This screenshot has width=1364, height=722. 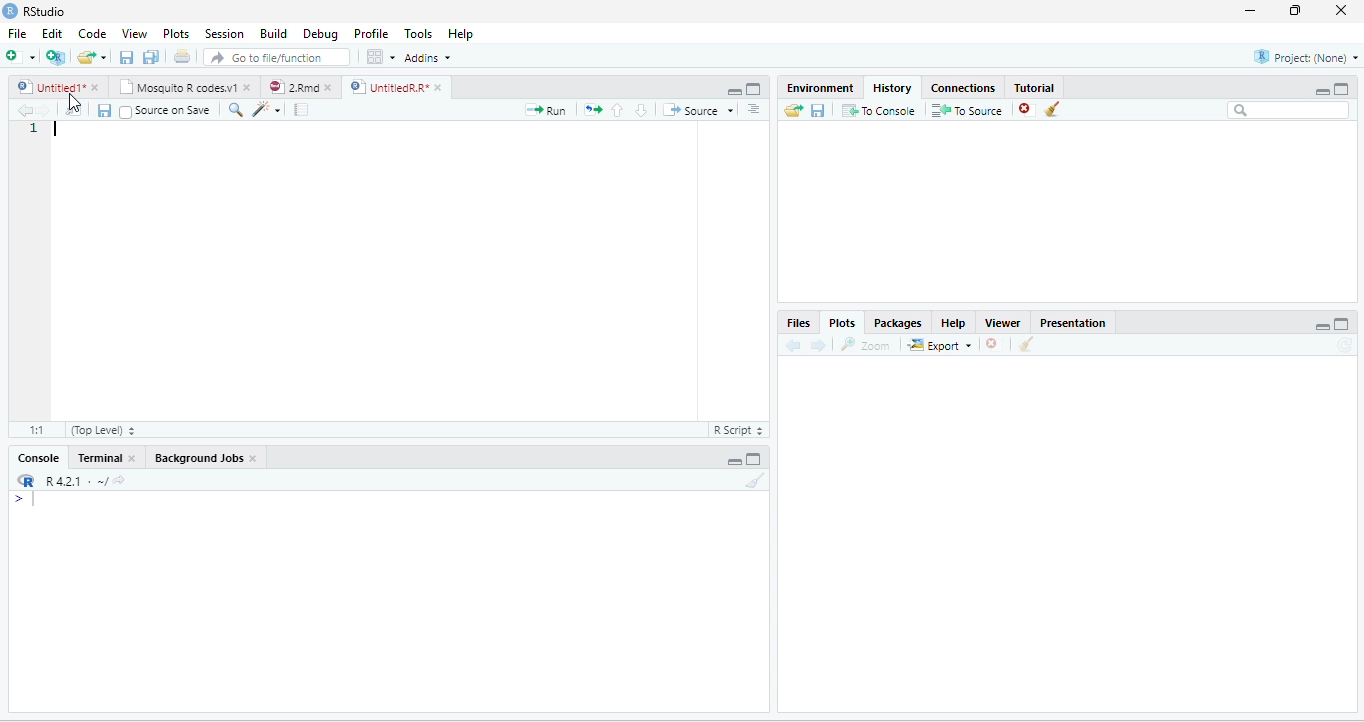 What do you see at coordinates (1343, 323) in the screenshot?
I see `Maximize` at bounding box center [1343, 323].